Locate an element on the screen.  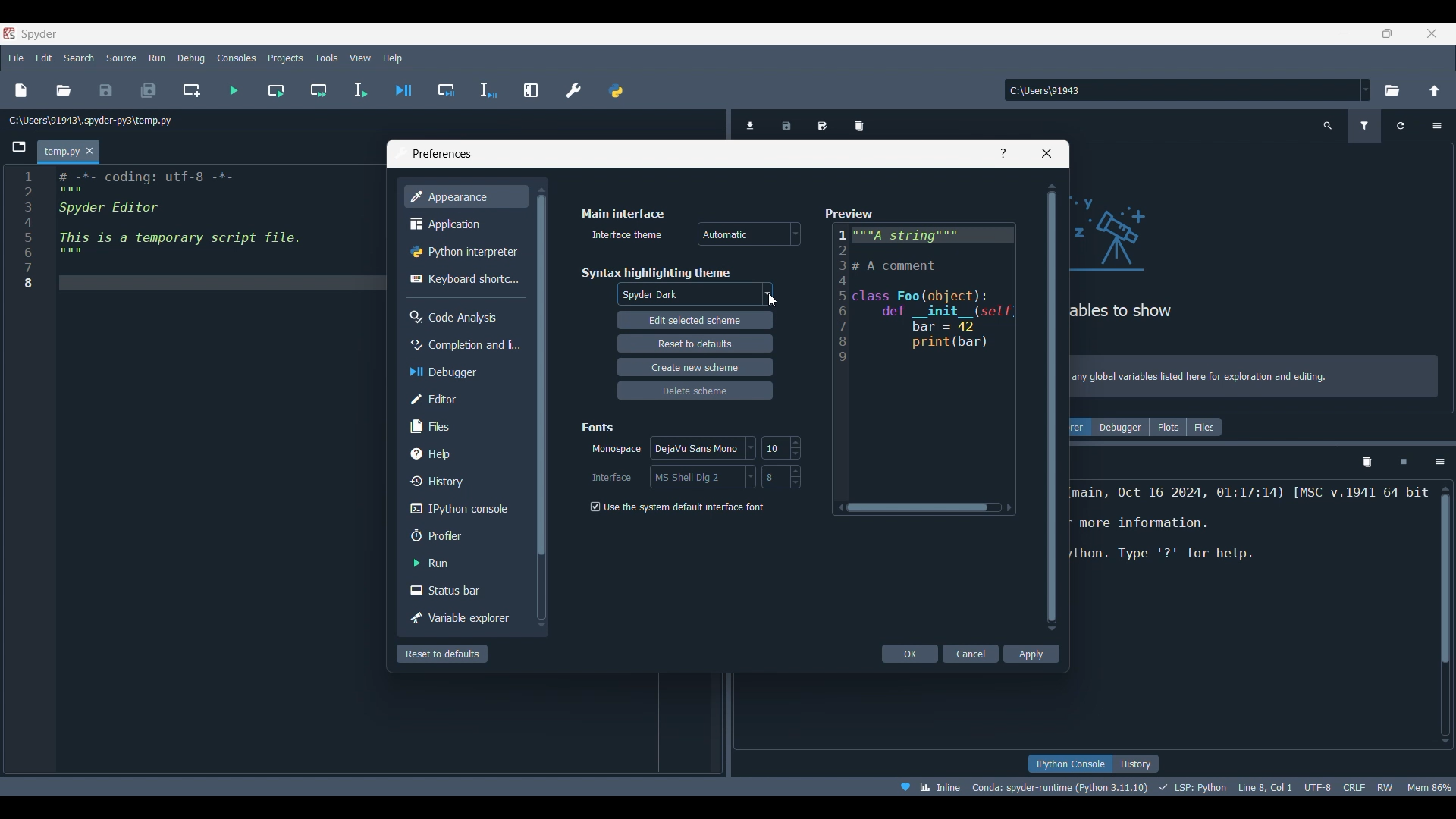
inline is located at coordinates (925, 786).